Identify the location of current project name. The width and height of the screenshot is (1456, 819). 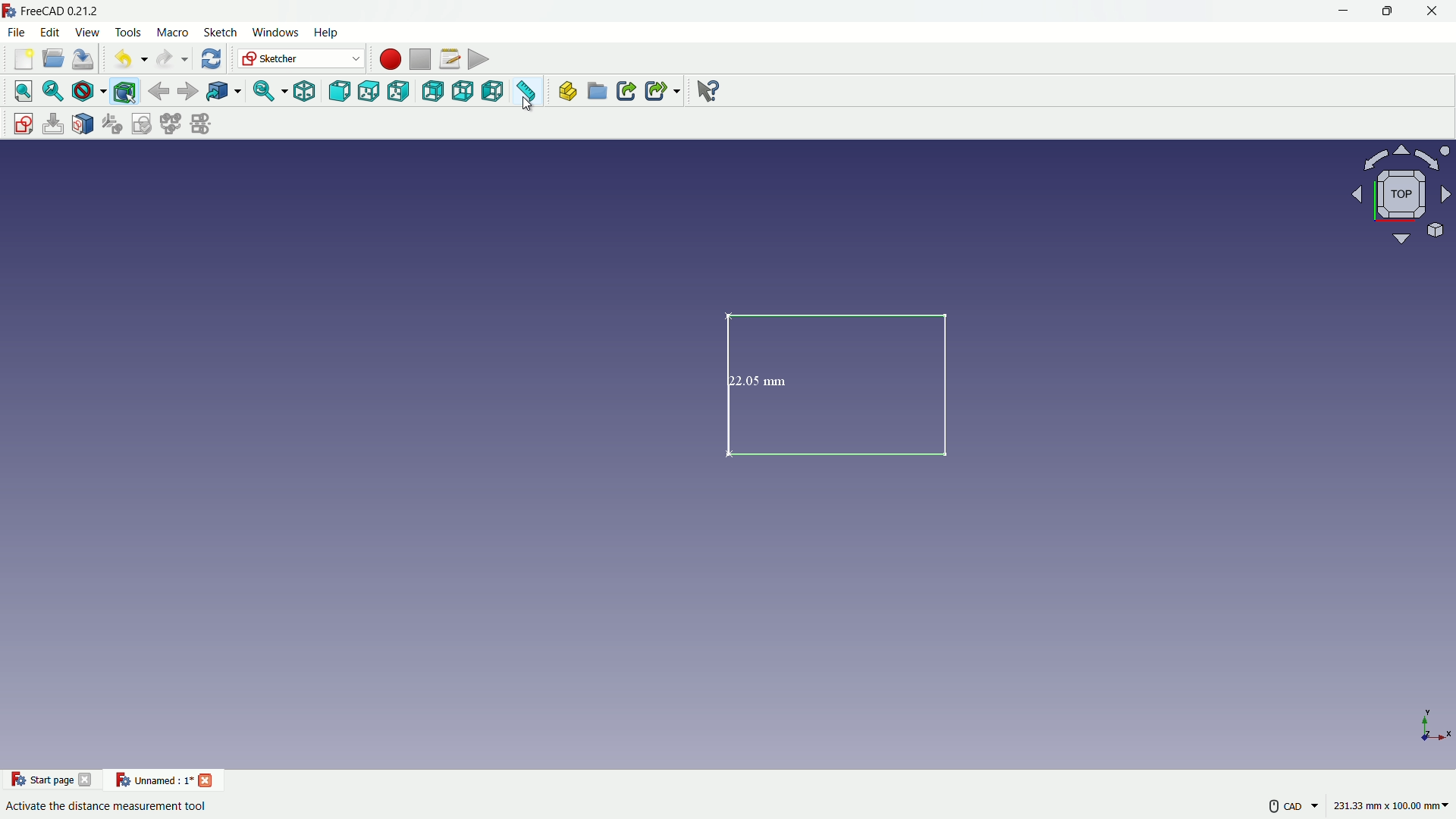
(152, 780).